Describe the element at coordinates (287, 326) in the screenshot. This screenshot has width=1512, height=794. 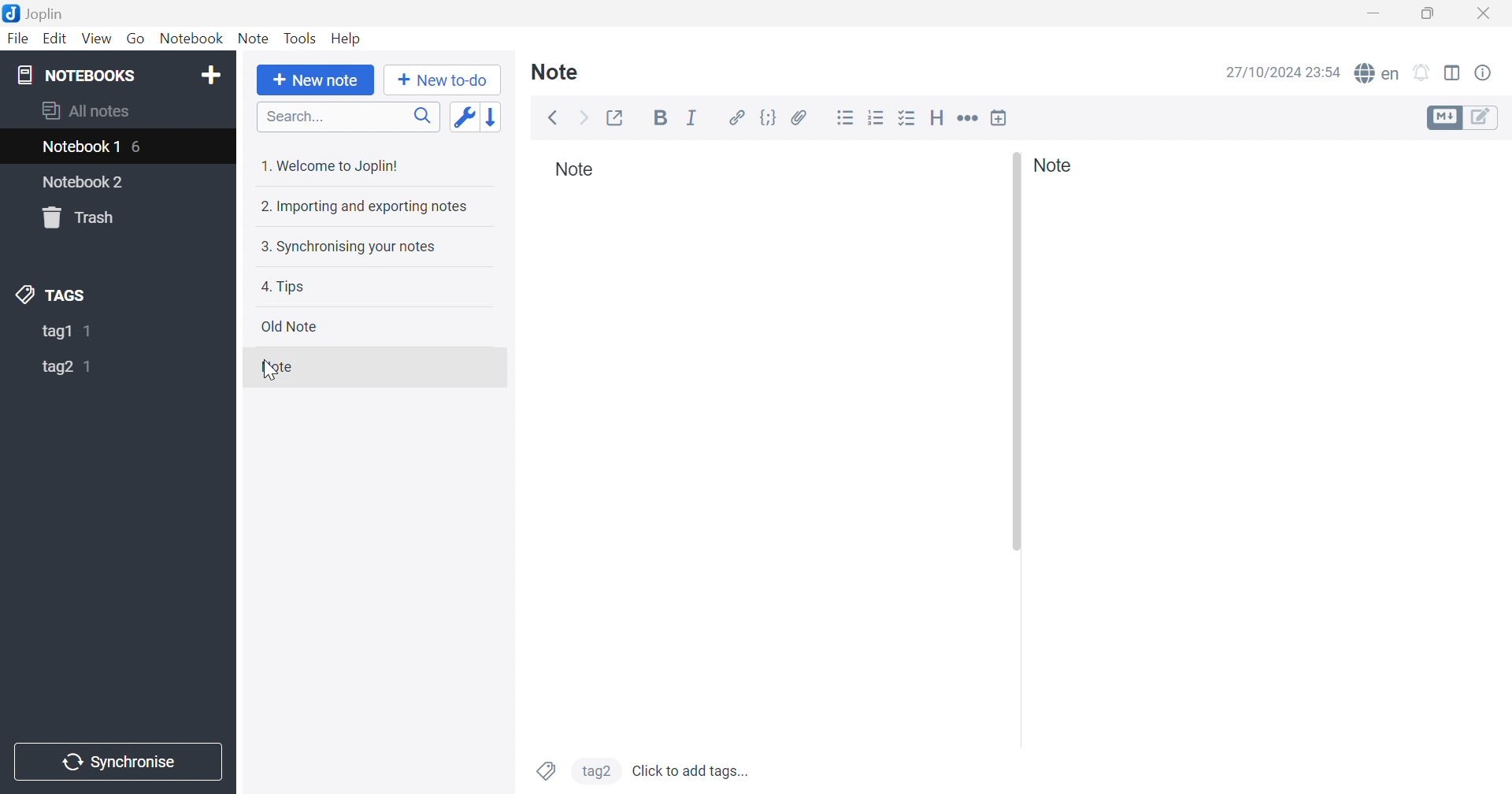
I see `Old note` at that location.